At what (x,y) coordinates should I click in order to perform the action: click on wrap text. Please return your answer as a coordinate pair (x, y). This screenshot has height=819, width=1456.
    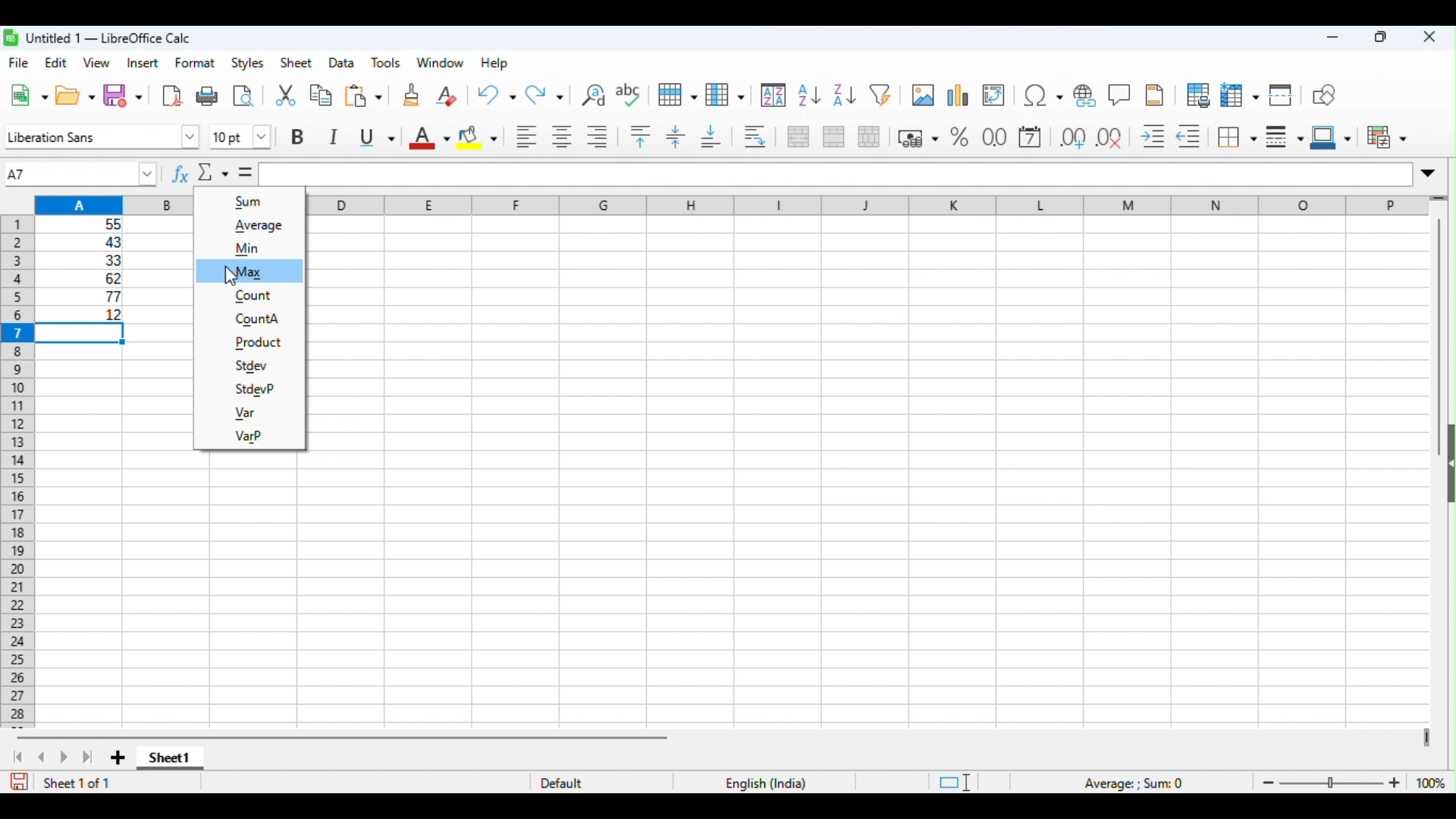
    Looking at the image, I should click on (758, 136).